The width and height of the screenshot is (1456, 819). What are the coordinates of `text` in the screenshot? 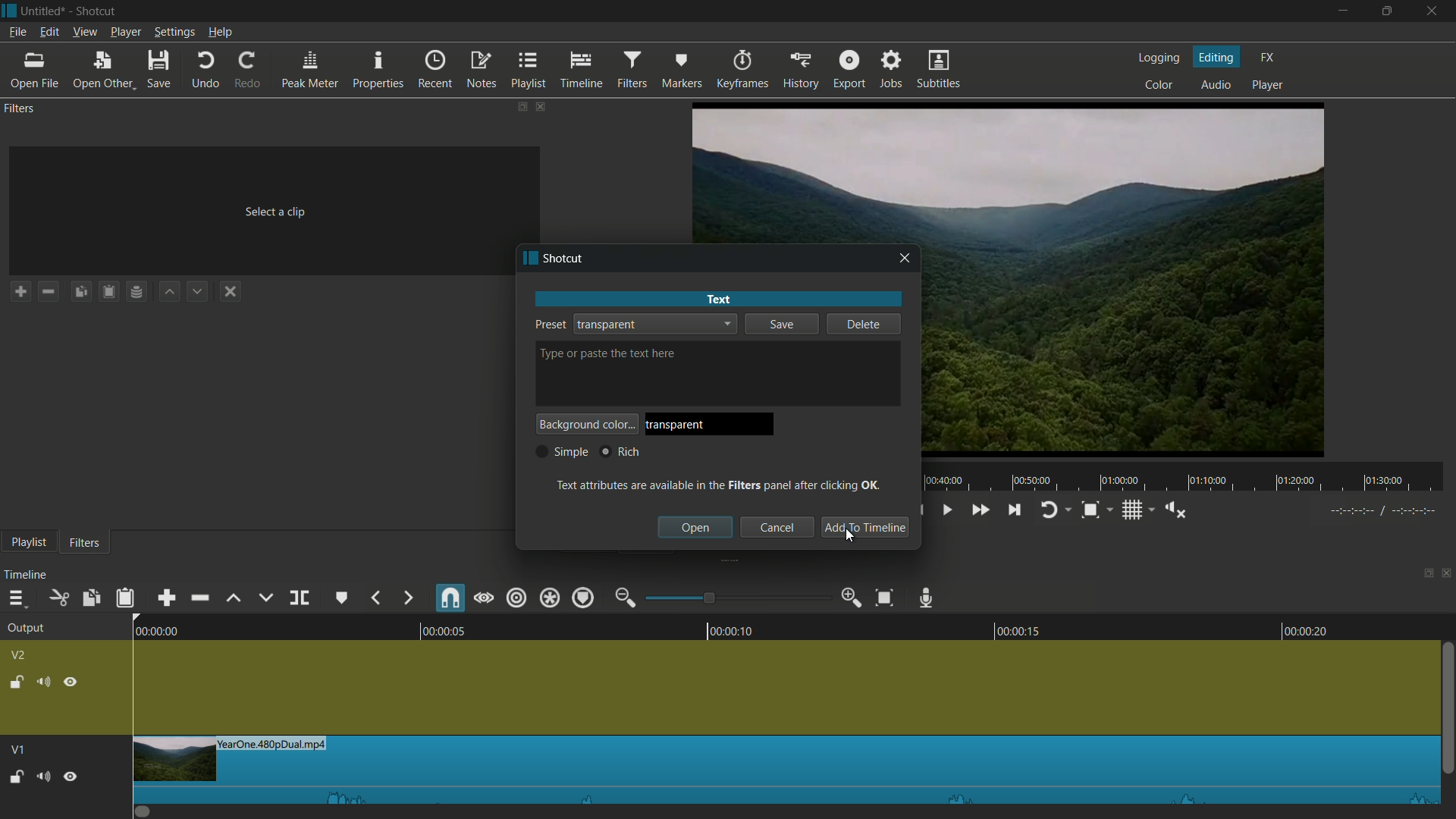 It's located at (717, 299).